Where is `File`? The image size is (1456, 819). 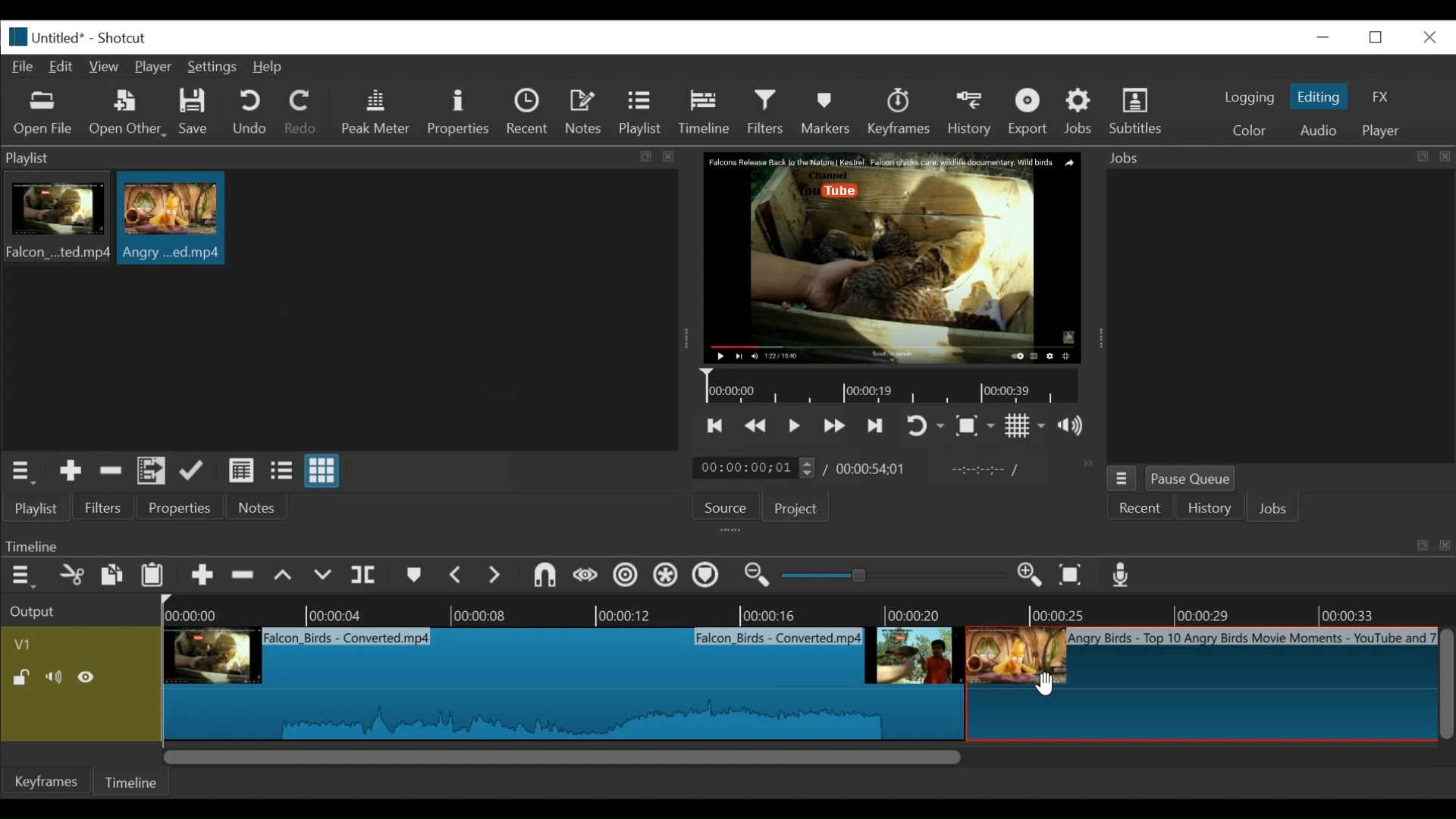 File is located at coordinates (26, 67).